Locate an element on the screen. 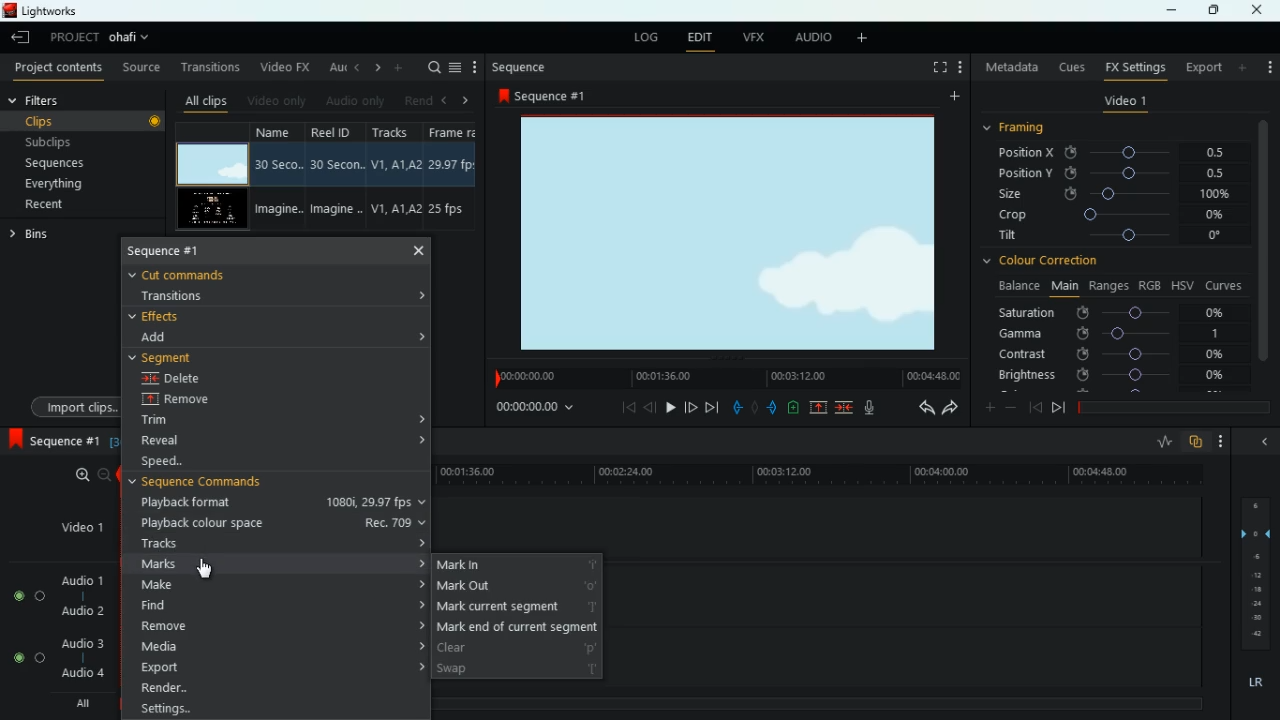 This screenshot has width=1280, height=720. close is located at coordinates (1261, 443).